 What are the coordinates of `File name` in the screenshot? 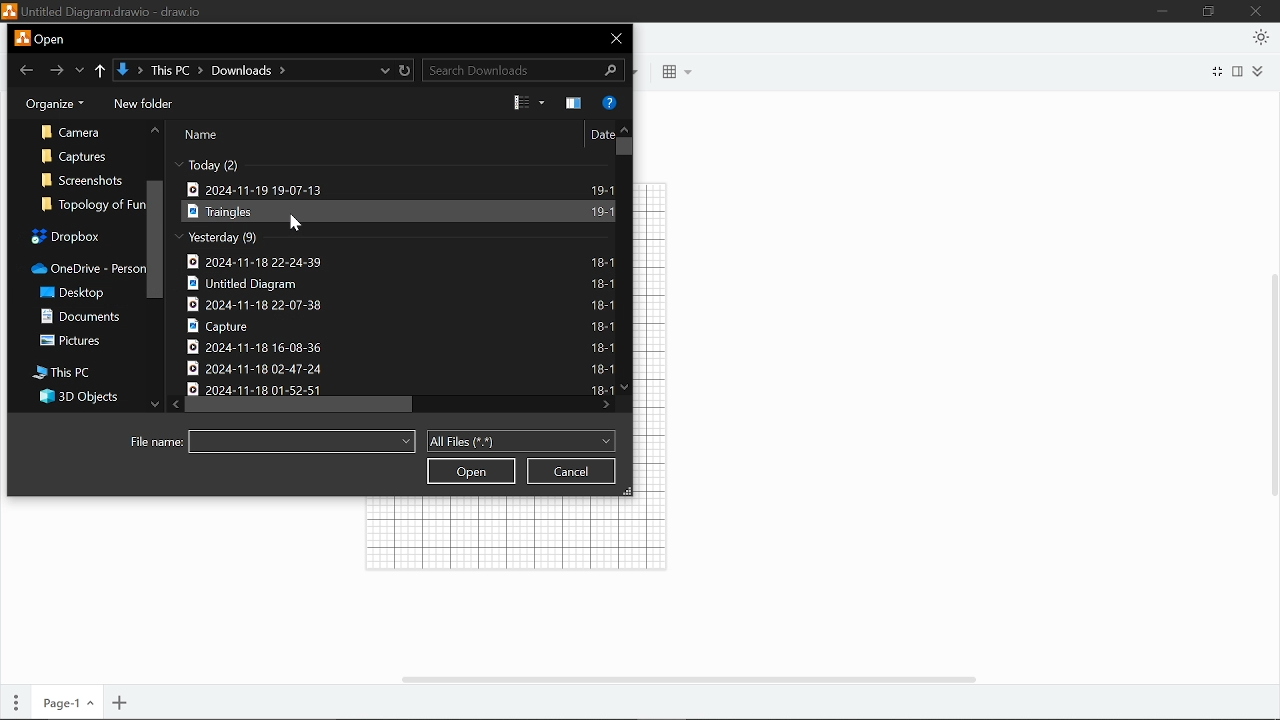 It's located at (158, 442).